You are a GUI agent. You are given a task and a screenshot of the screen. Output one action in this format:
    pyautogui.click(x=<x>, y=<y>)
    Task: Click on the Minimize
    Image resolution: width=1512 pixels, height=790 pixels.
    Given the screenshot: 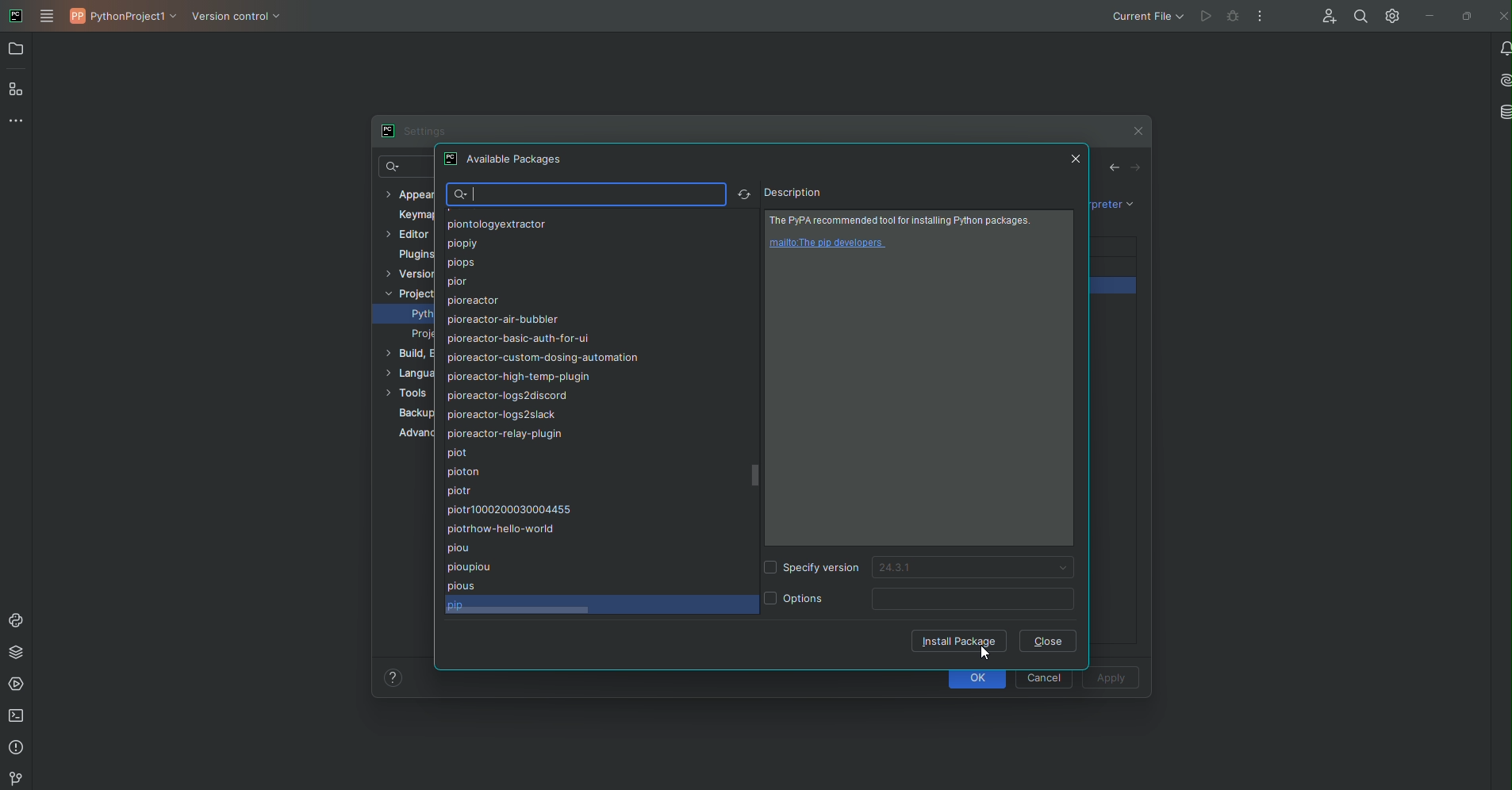 What is the action you would take?
    pyautogui.click(x=1426, y=17)
    